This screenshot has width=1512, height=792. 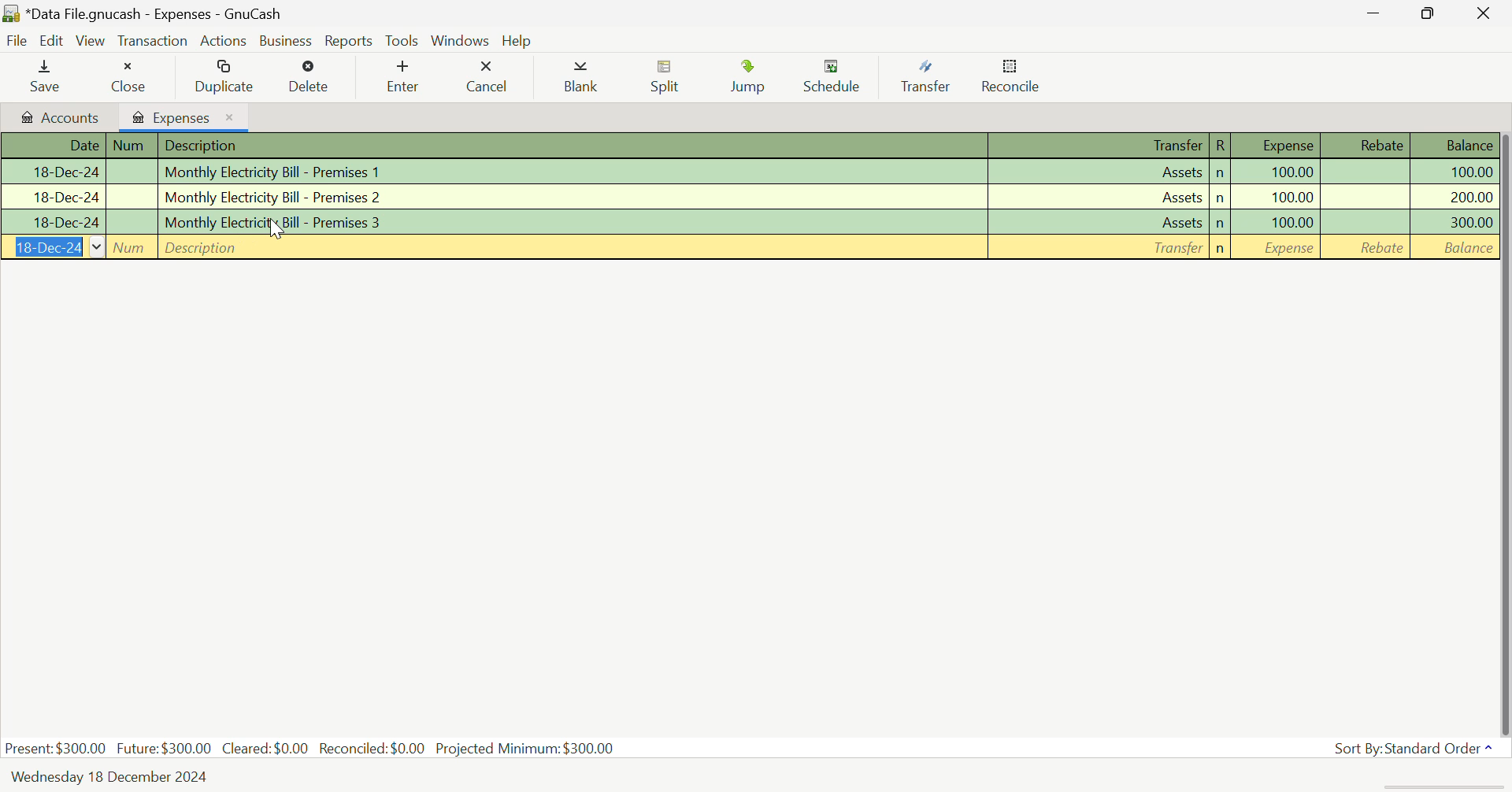 I want to click on *Data File.gnucash - Expenses - GnuCash, so click(x=154, y=13).